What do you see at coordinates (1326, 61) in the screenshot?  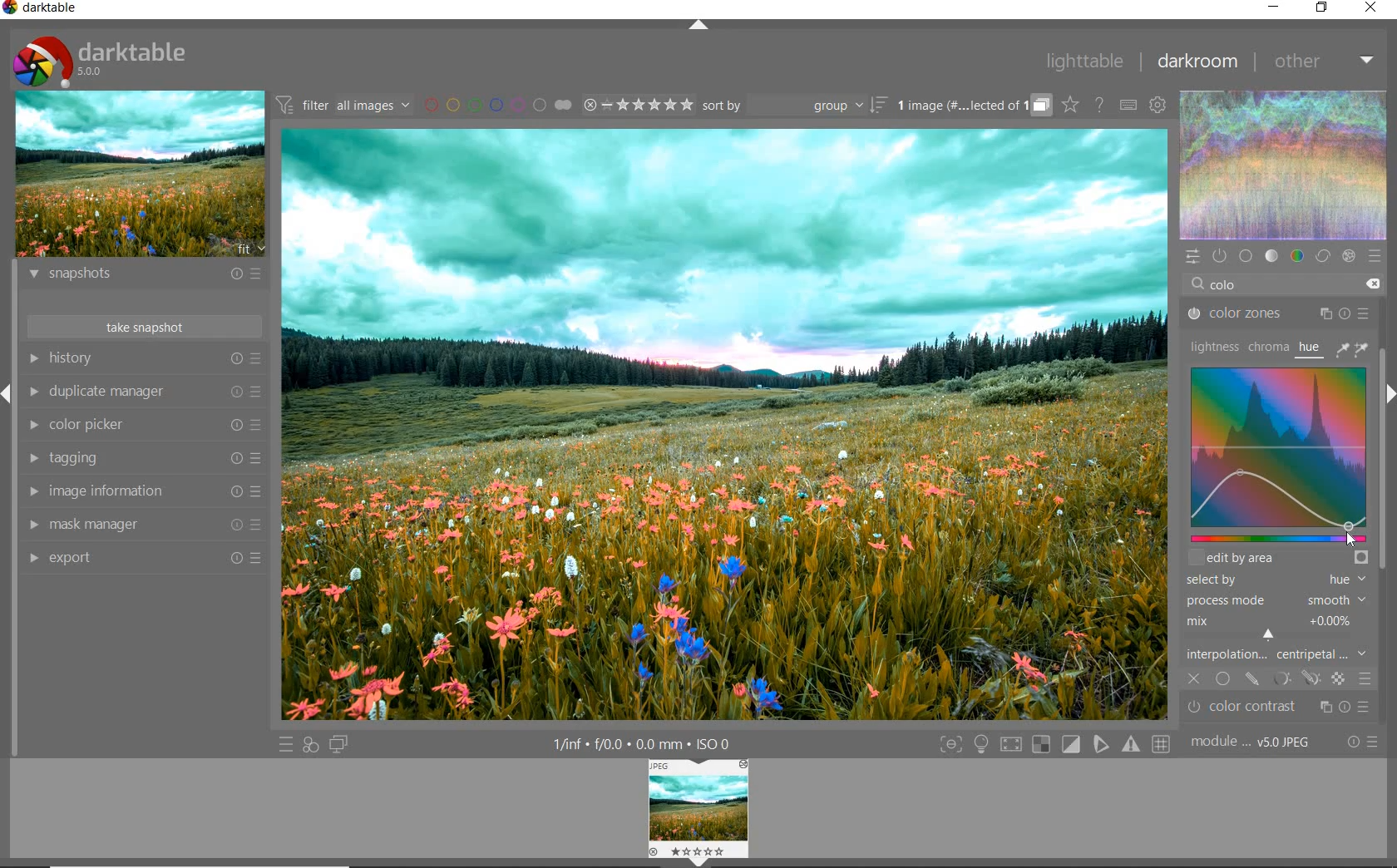 I see `other` at bounding box center [1326, 61].